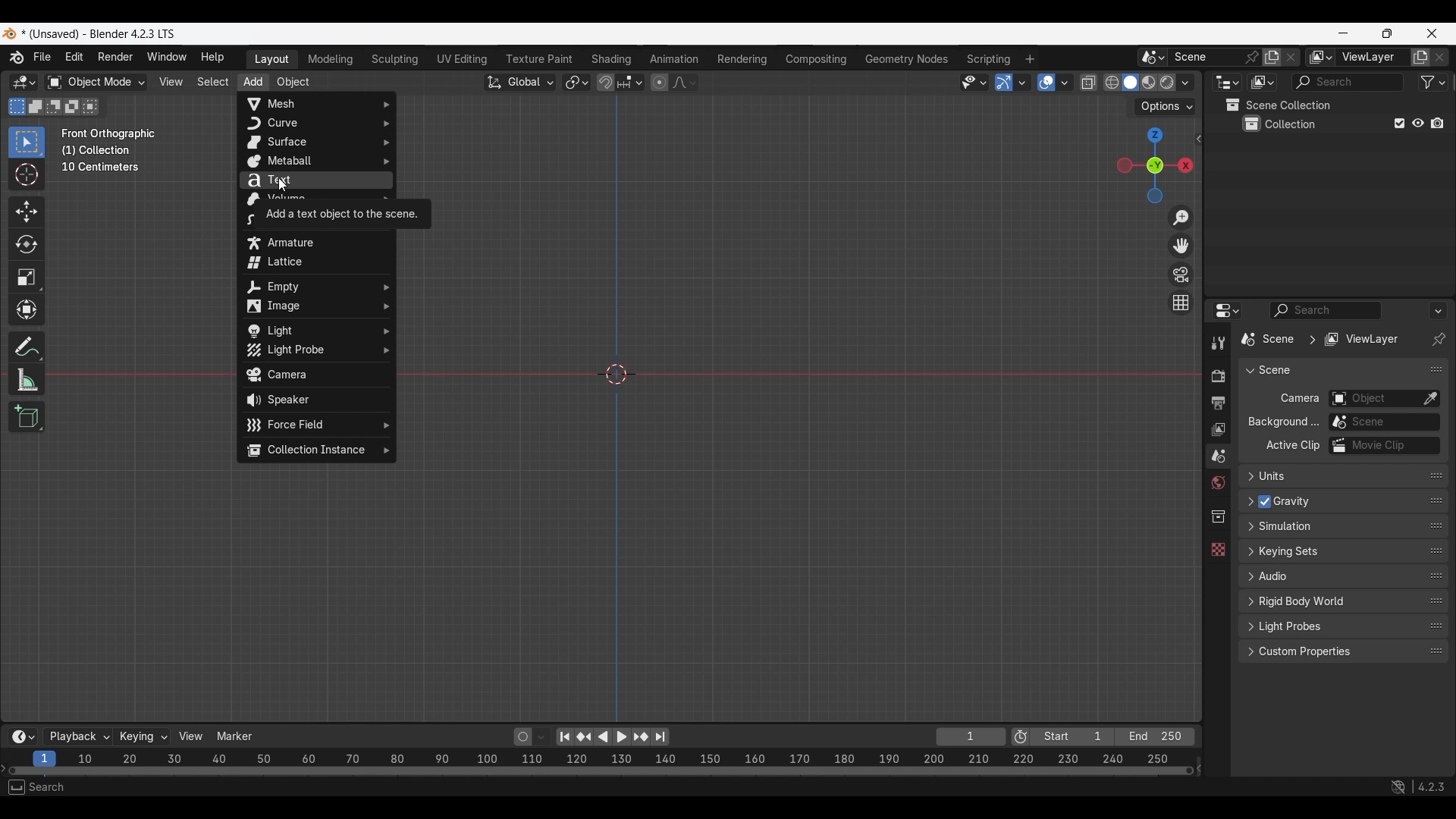 This screenshot has width=1456, height=819. What do you see at coordinates (1218, 550) in the screenshot?
I see `Texture` at bounding box center [1218, 550].